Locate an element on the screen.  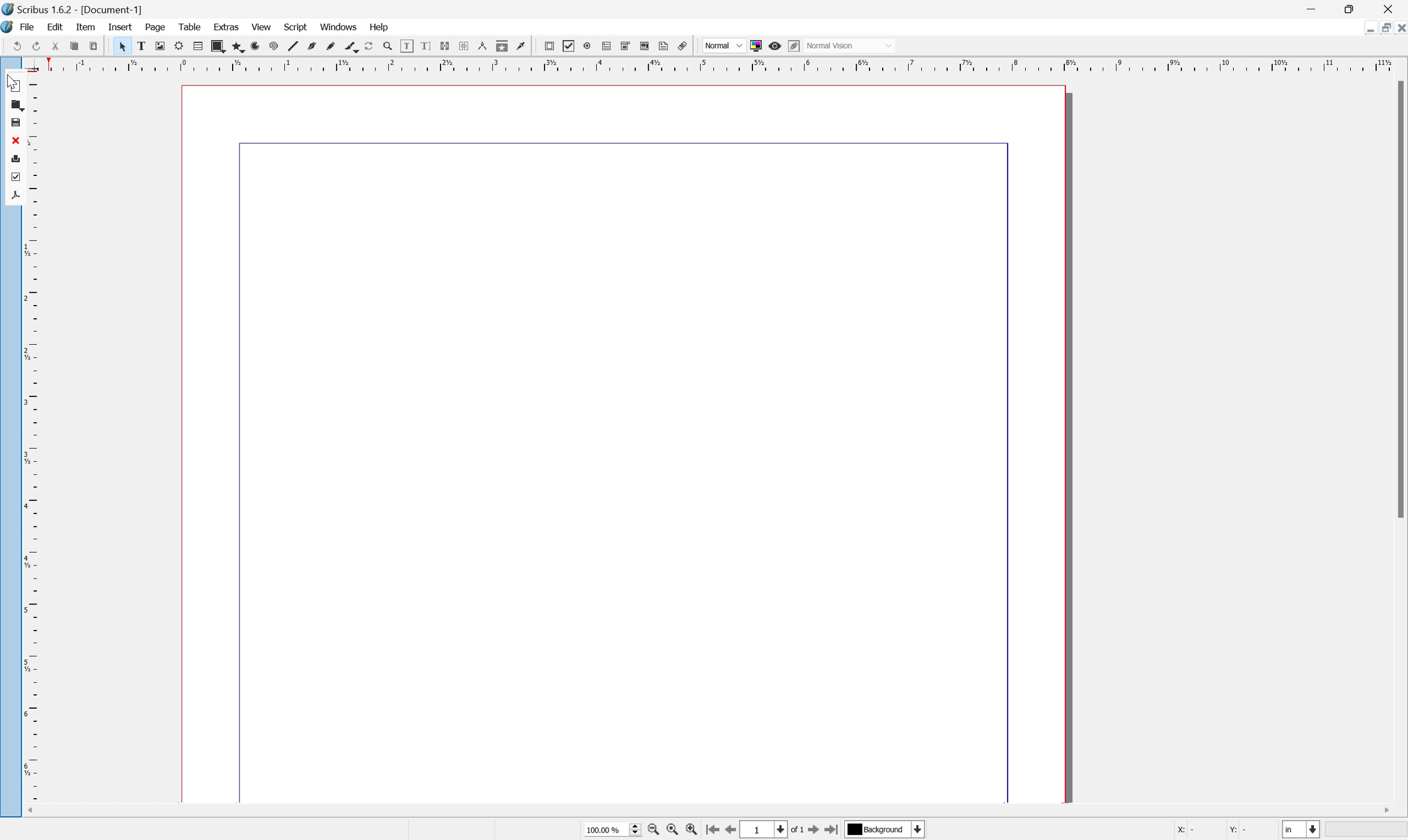
New is located at coordinates (15, 85).